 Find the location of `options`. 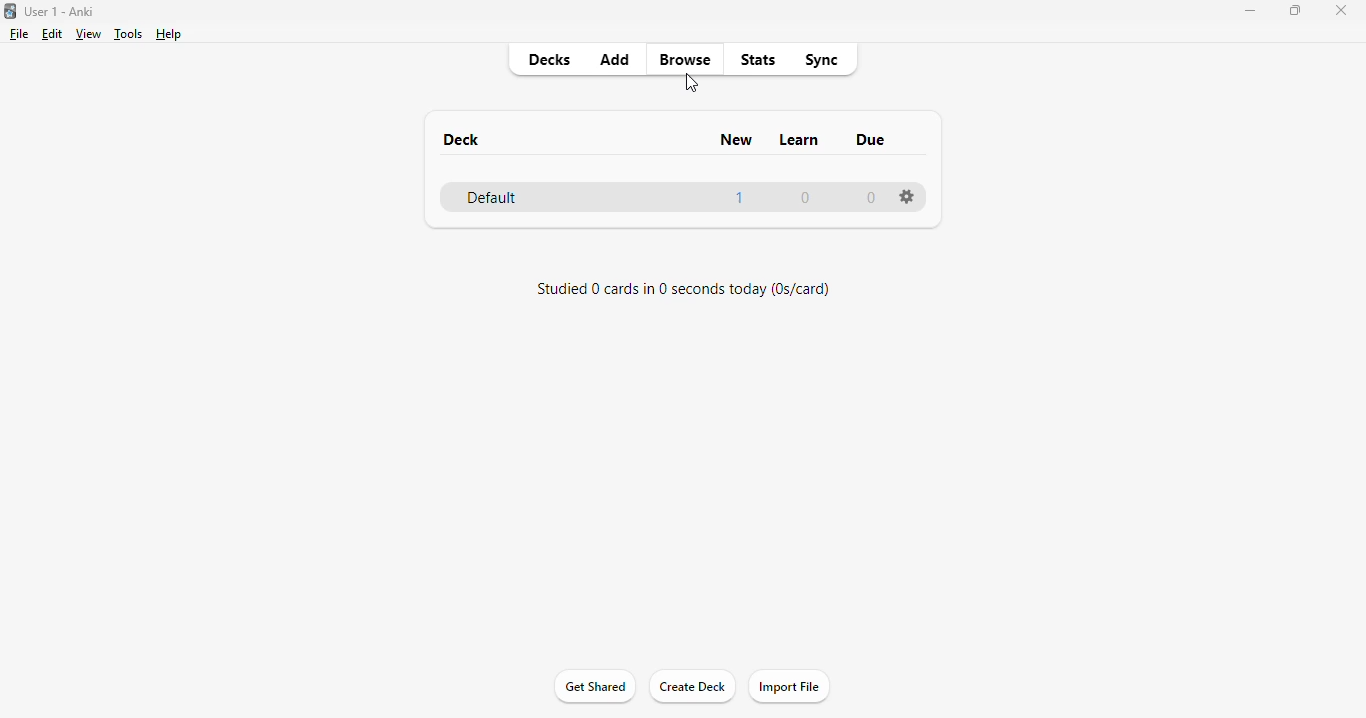

options is located at coordinates (908, 196).